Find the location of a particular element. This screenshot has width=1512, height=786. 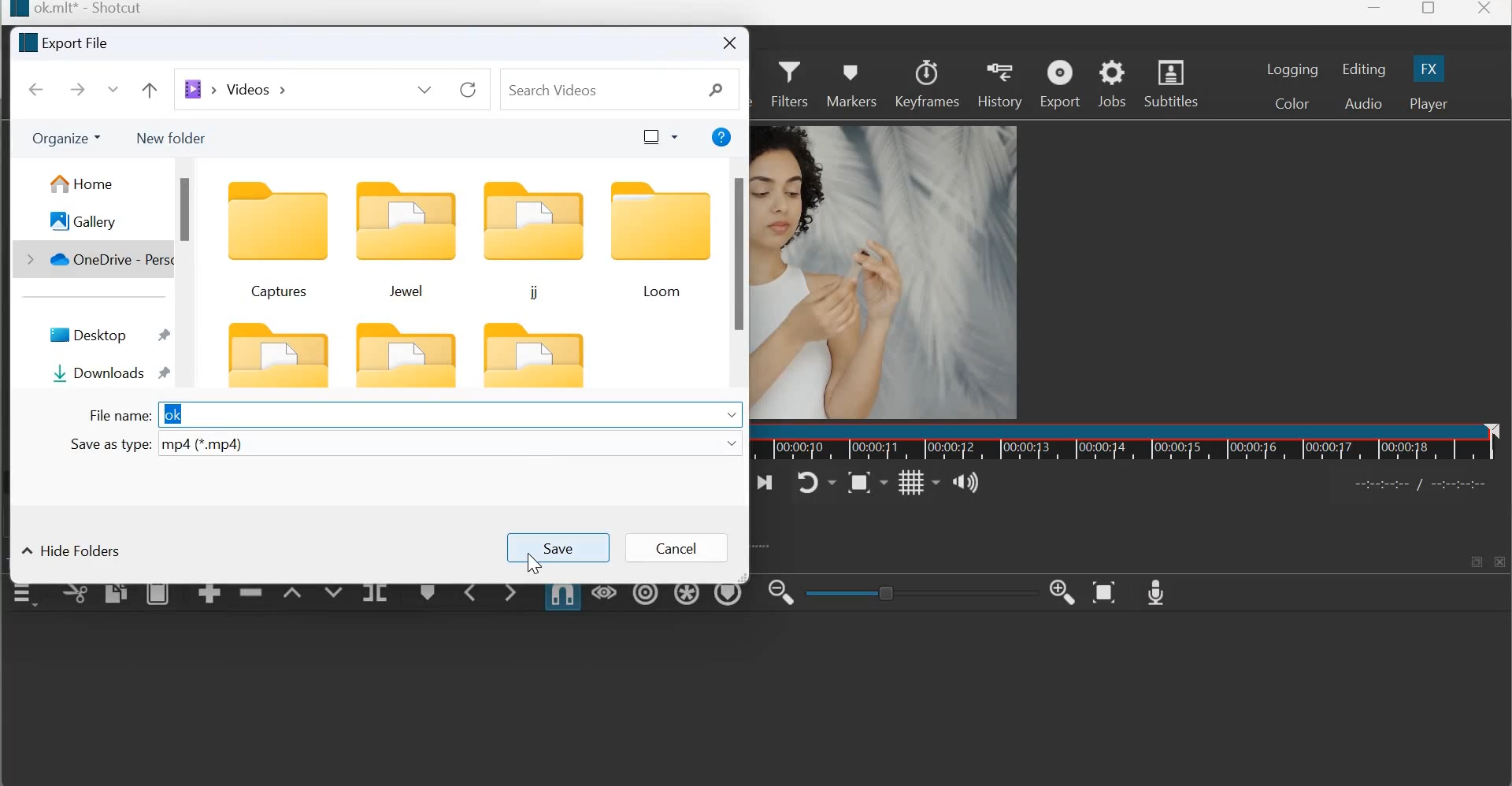

maximize is located at coordinates (1474, 560).